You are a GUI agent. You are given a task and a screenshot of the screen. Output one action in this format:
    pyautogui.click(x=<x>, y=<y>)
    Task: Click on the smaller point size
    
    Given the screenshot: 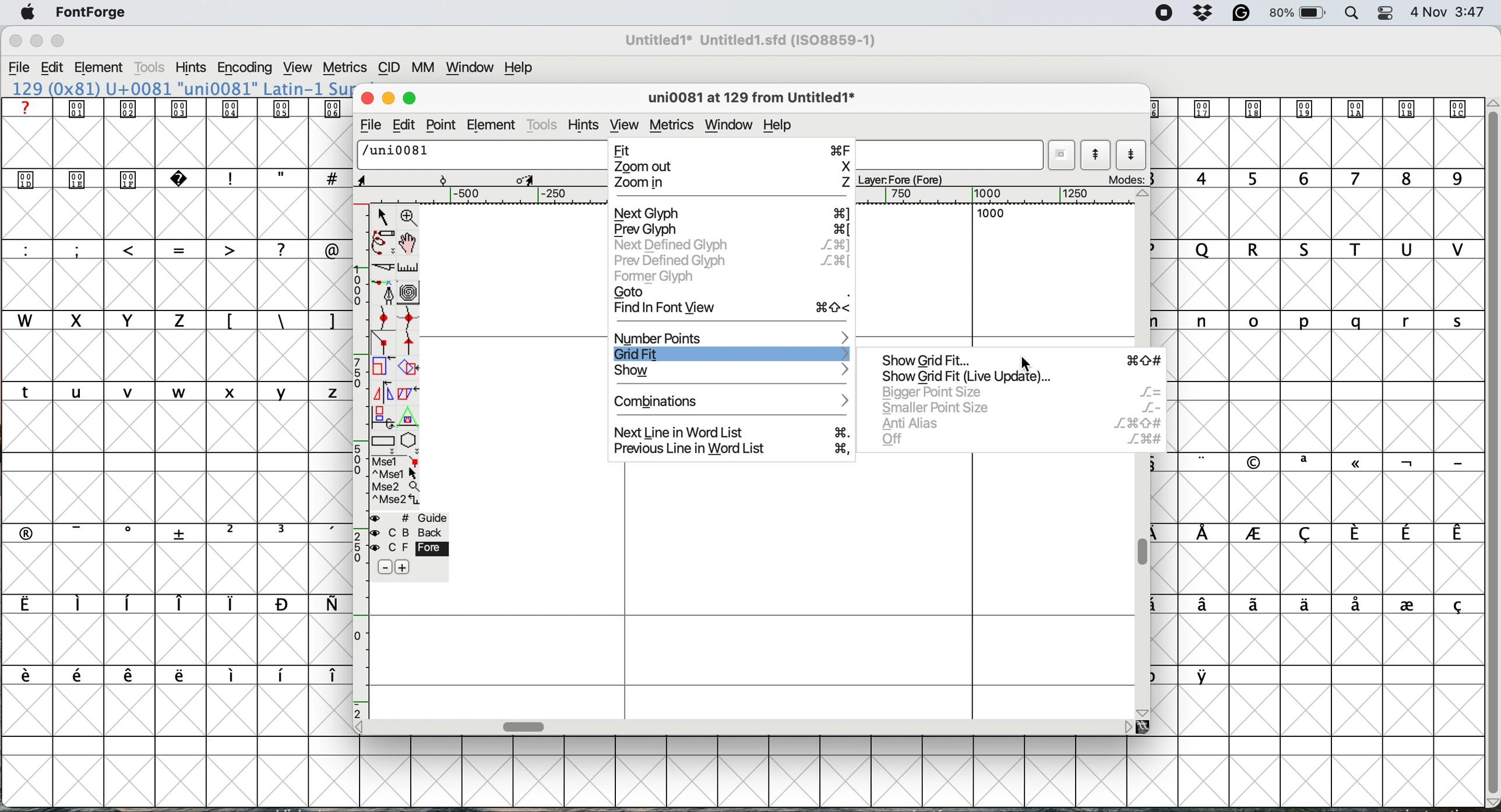 What is the action you would take?
    pyautogui.click(x=1017, y=407)
    